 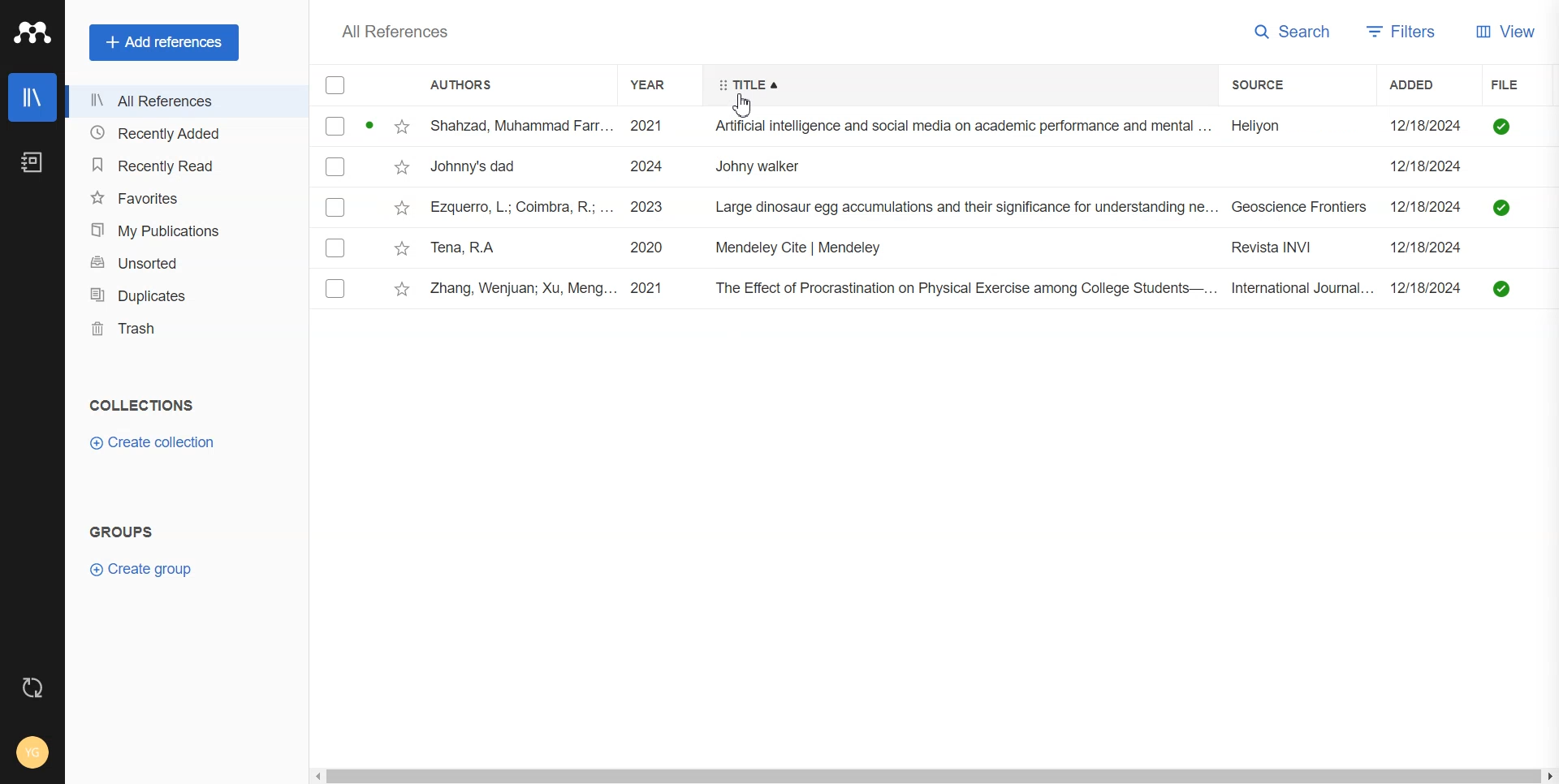 I want to click on Trash, so click(x=186, y=329).